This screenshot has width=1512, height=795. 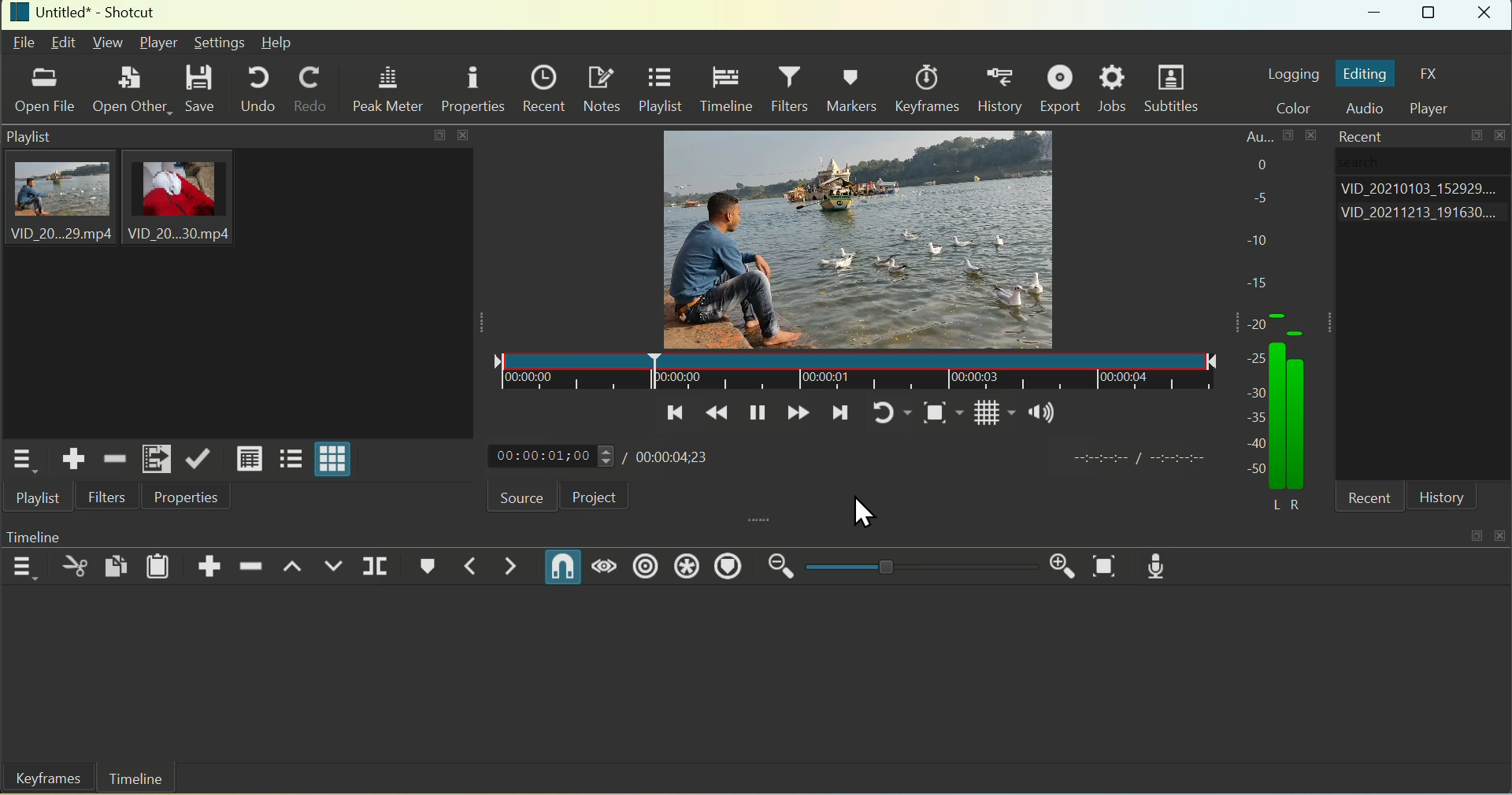 I want to click on Play;ist menu, so click(x=20, y=460).